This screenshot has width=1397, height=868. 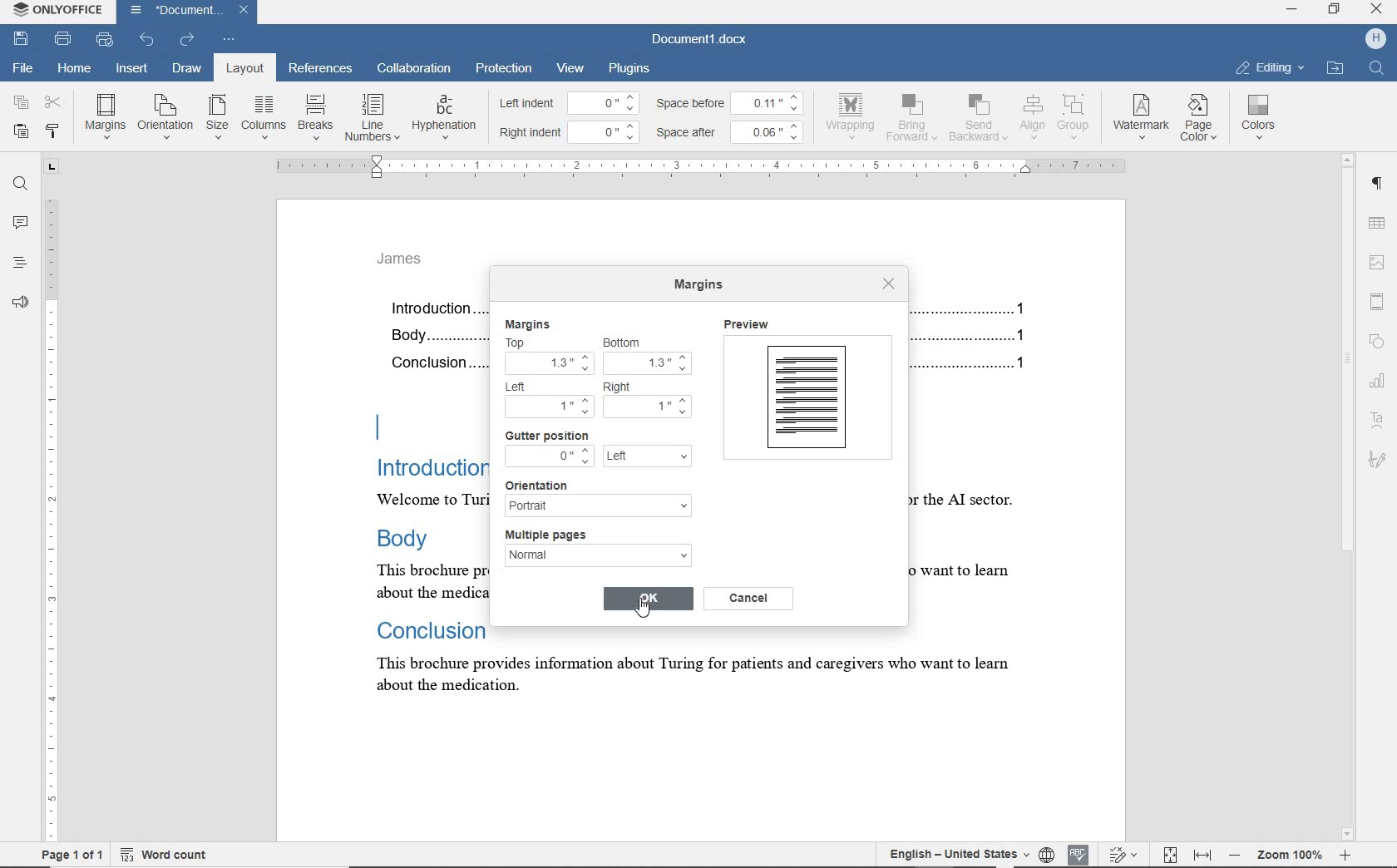 What do you see at coordinates (1079, 853) in the screenshot?
I see `spell check` at bounding box center [1079, 853].